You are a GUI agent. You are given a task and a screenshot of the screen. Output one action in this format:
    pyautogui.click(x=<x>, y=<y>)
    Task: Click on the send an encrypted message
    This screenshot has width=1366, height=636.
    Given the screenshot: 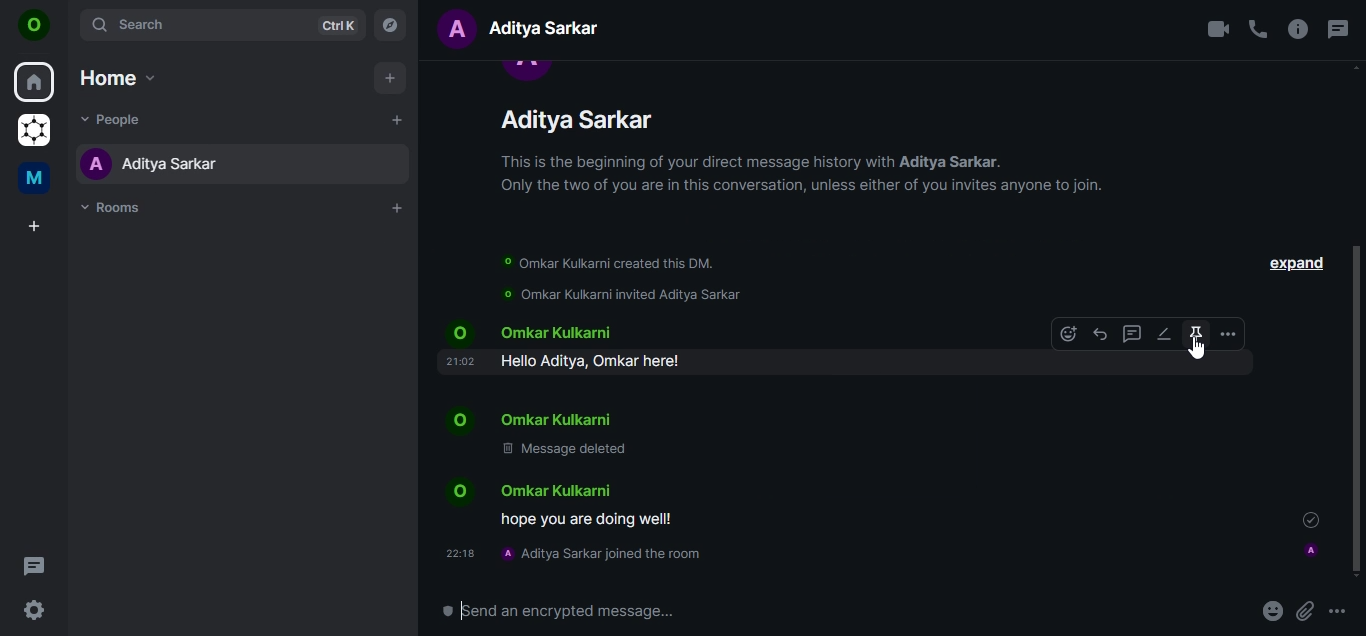 What is the action you would take?
    pyautogui.click(x=596, y=610)
    